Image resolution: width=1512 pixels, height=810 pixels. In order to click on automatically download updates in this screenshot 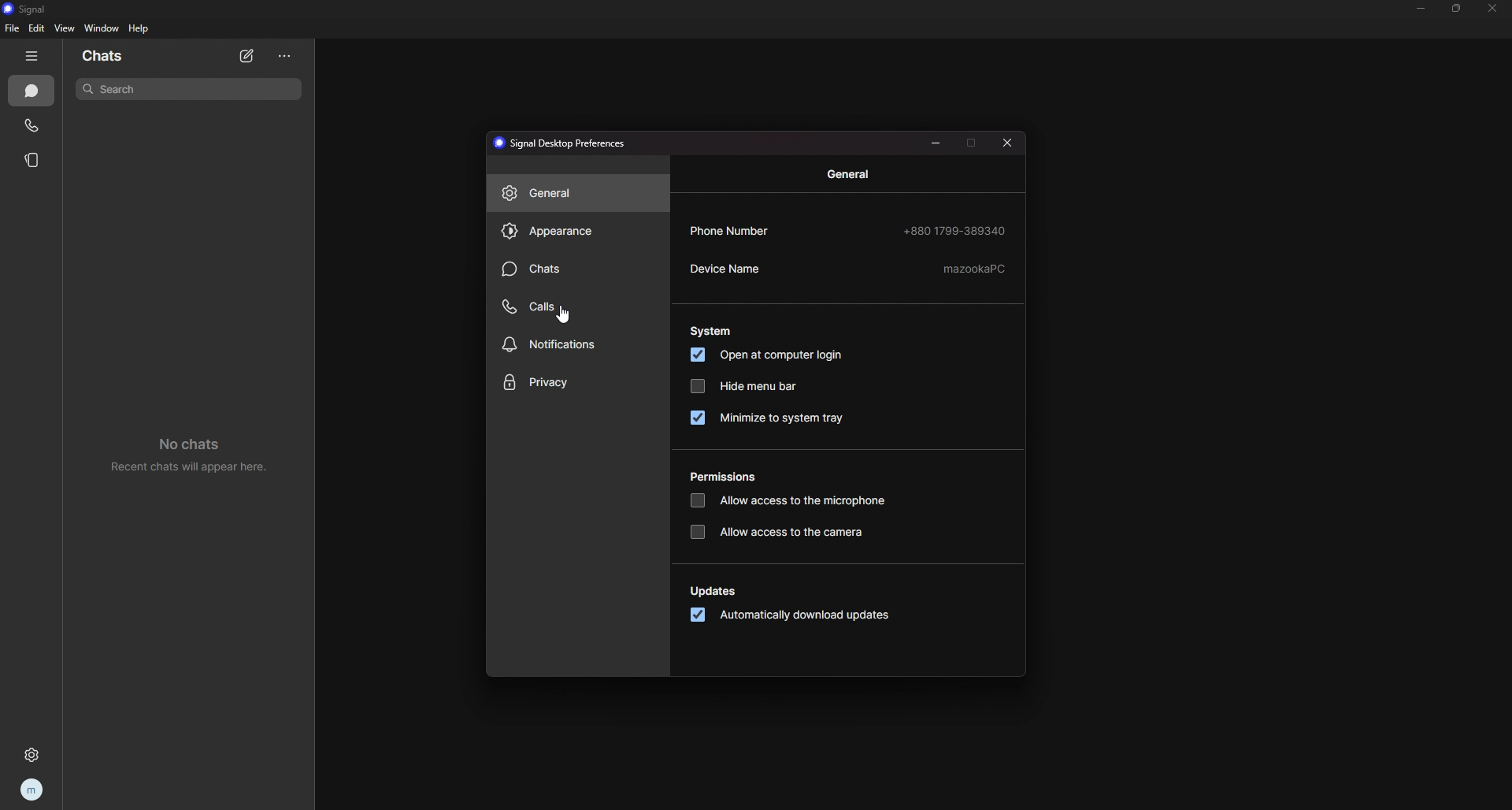, I will do `click(795, 615)`.